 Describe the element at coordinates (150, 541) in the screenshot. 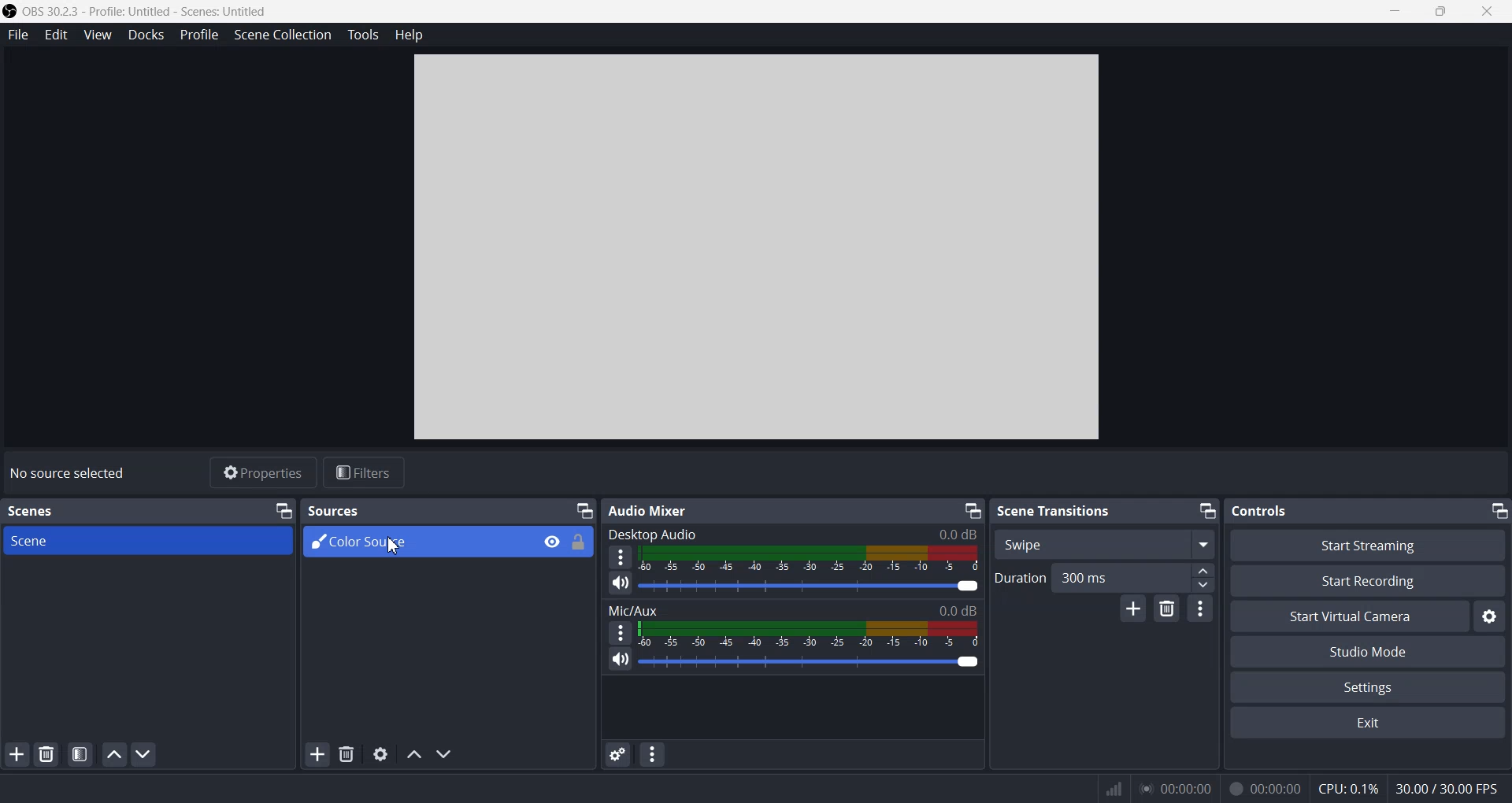

I see `Scene` at that location.